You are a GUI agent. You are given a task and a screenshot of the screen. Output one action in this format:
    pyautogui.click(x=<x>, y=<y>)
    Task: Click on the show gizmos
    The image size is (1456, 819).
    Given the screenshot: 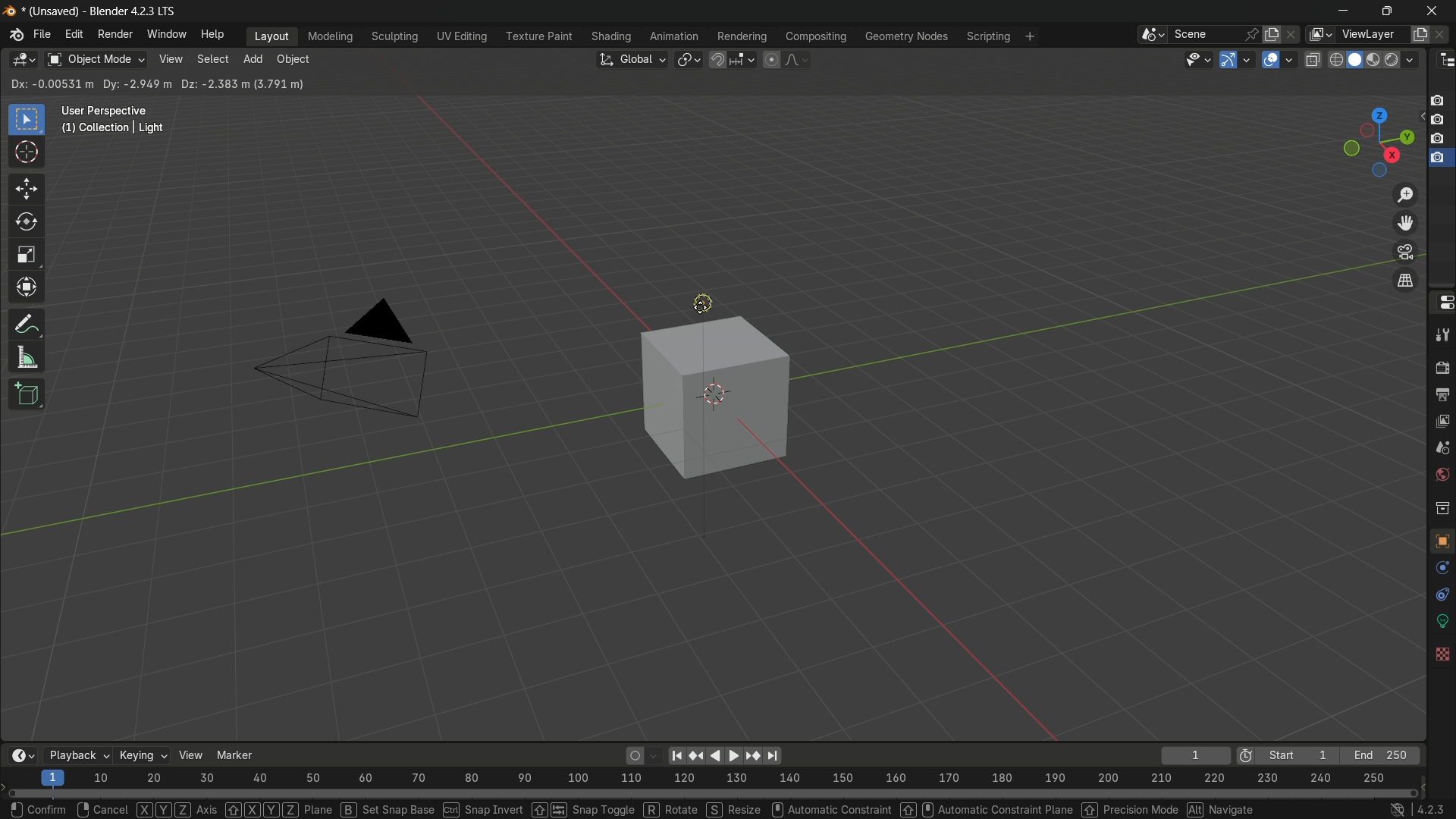 What is the action you would take?
    pyautogui.click(x=1229, y=59)
    